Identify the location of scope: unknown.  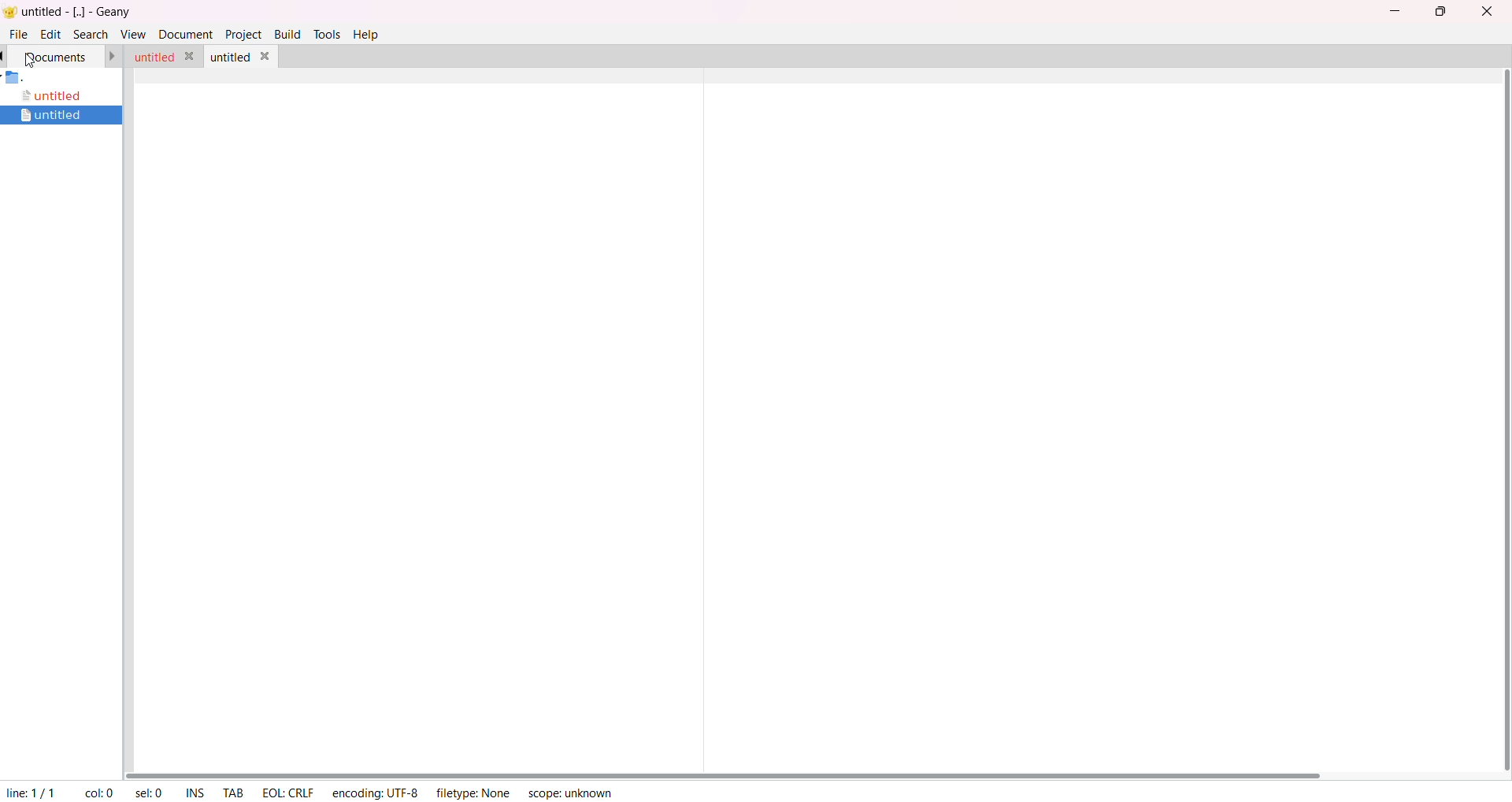
(572, 793).